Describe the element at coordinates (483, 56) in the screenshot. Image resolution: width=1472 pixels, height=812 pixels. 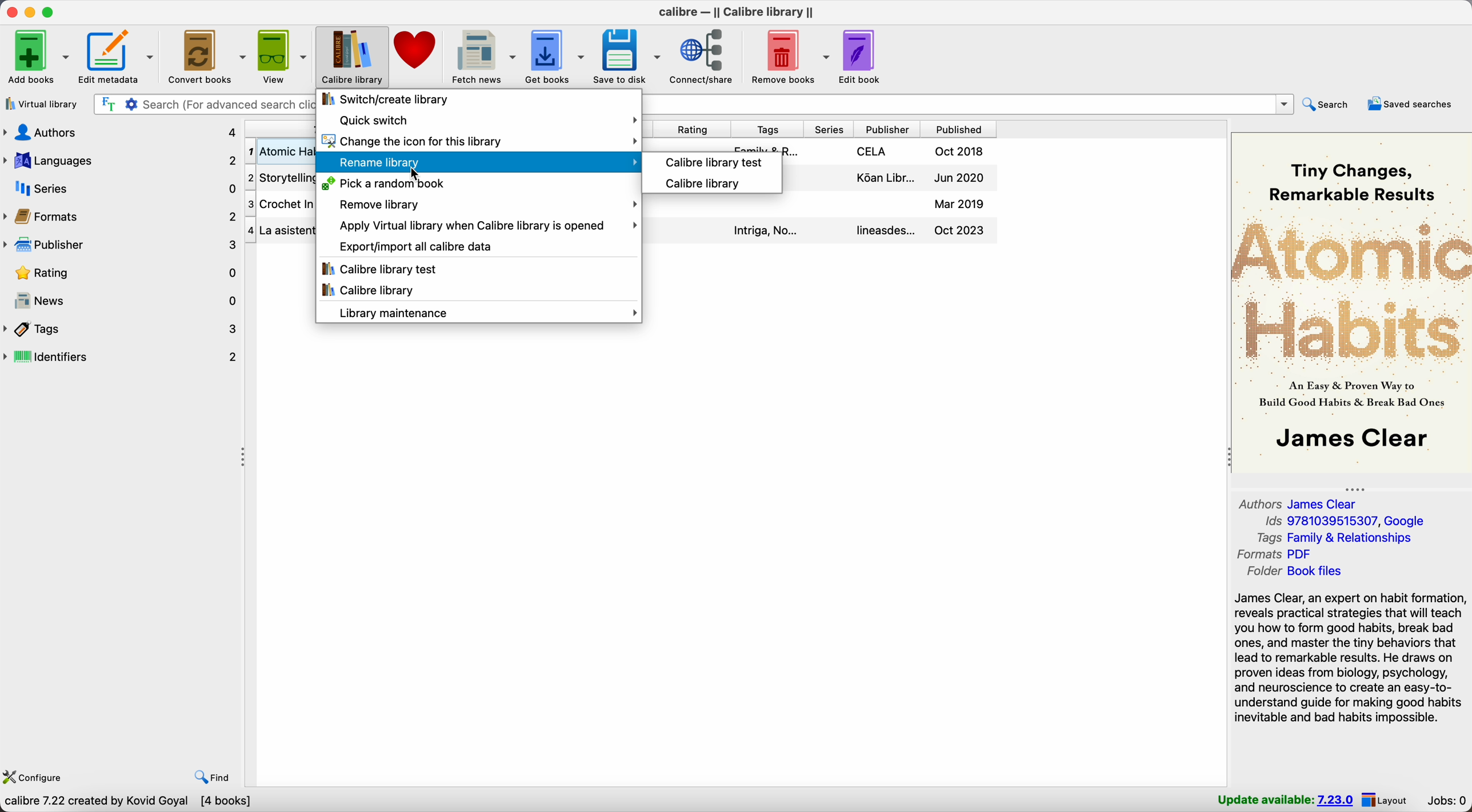
I see `fetch news` at that location.